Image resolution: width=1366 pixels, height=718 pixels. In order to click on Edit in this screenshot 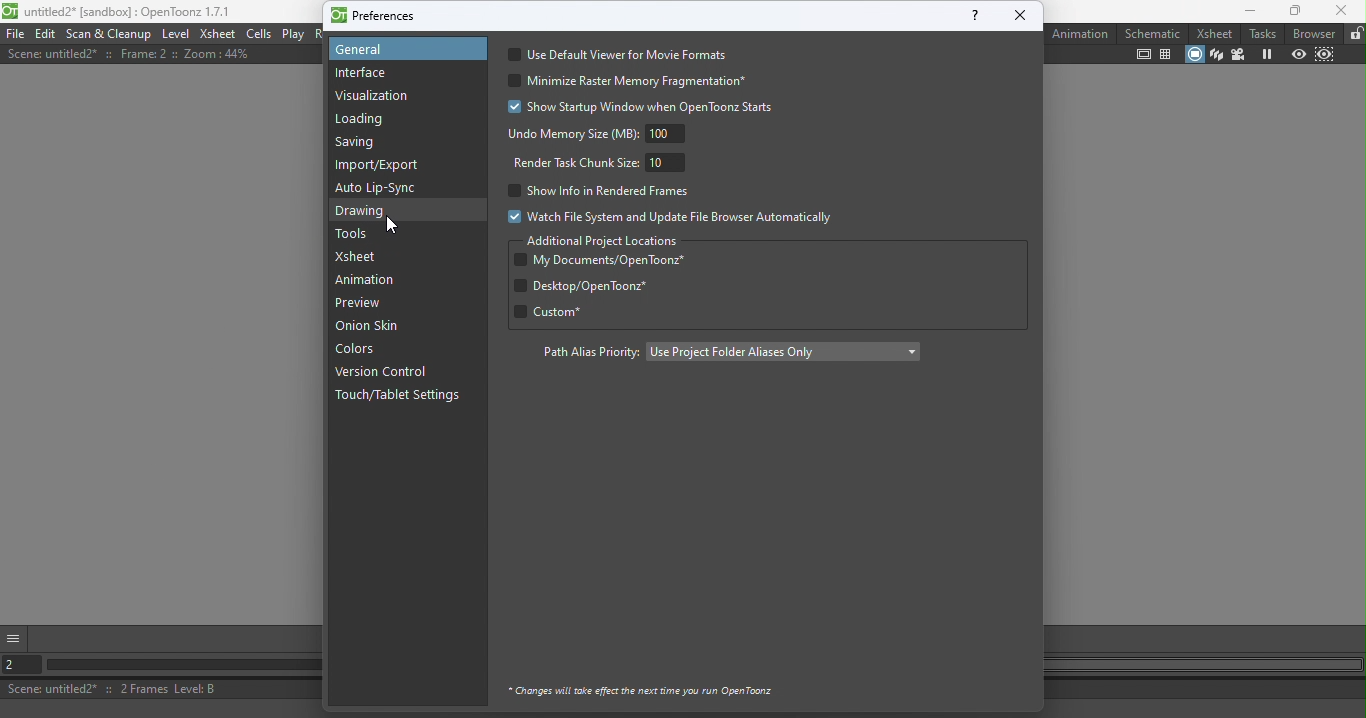, I will do `click(47, 33)`.